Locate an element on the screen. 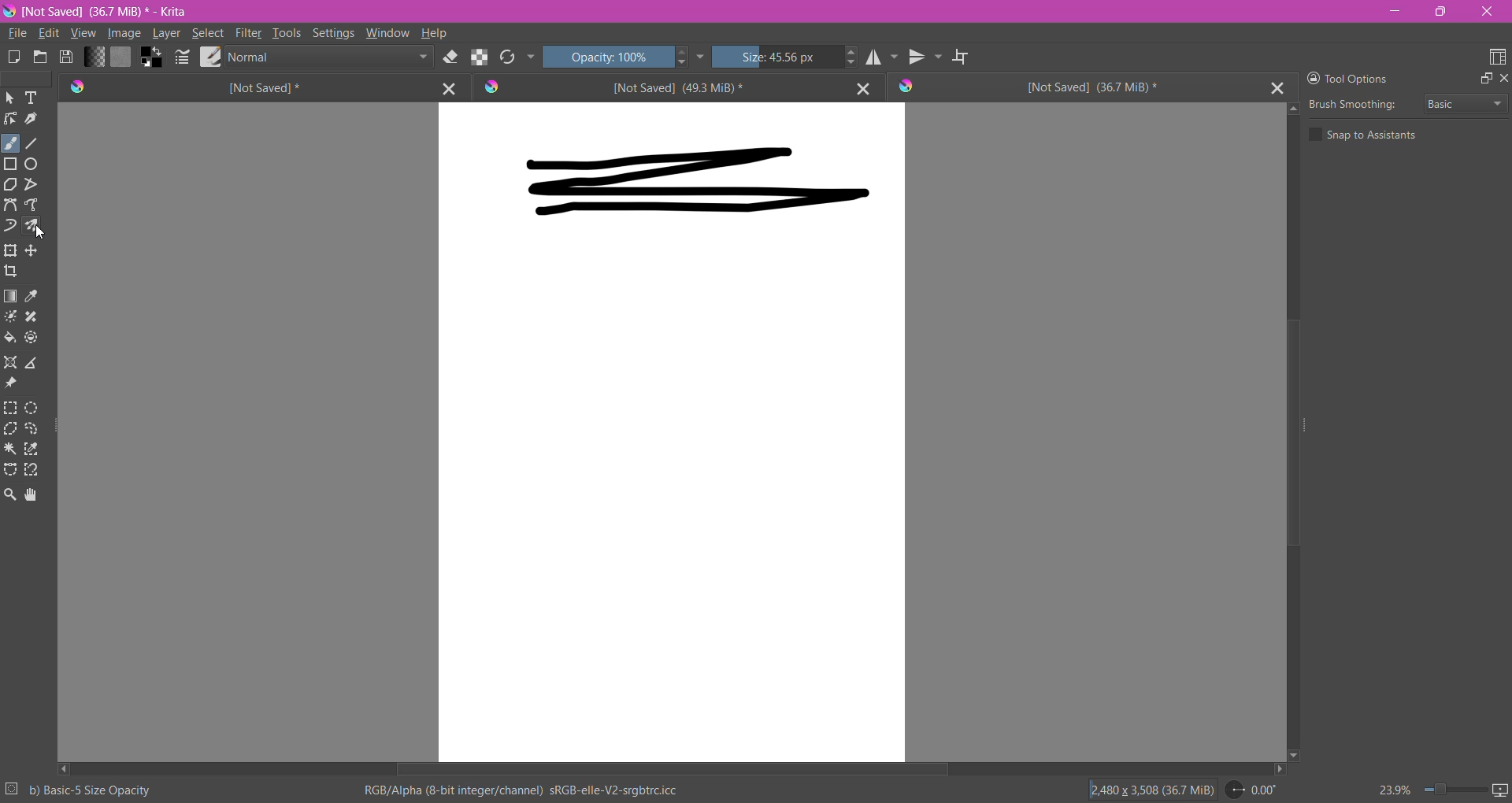 The height and width of the screenshot is (803, 1512). Select is located at coordinates (207, 33).